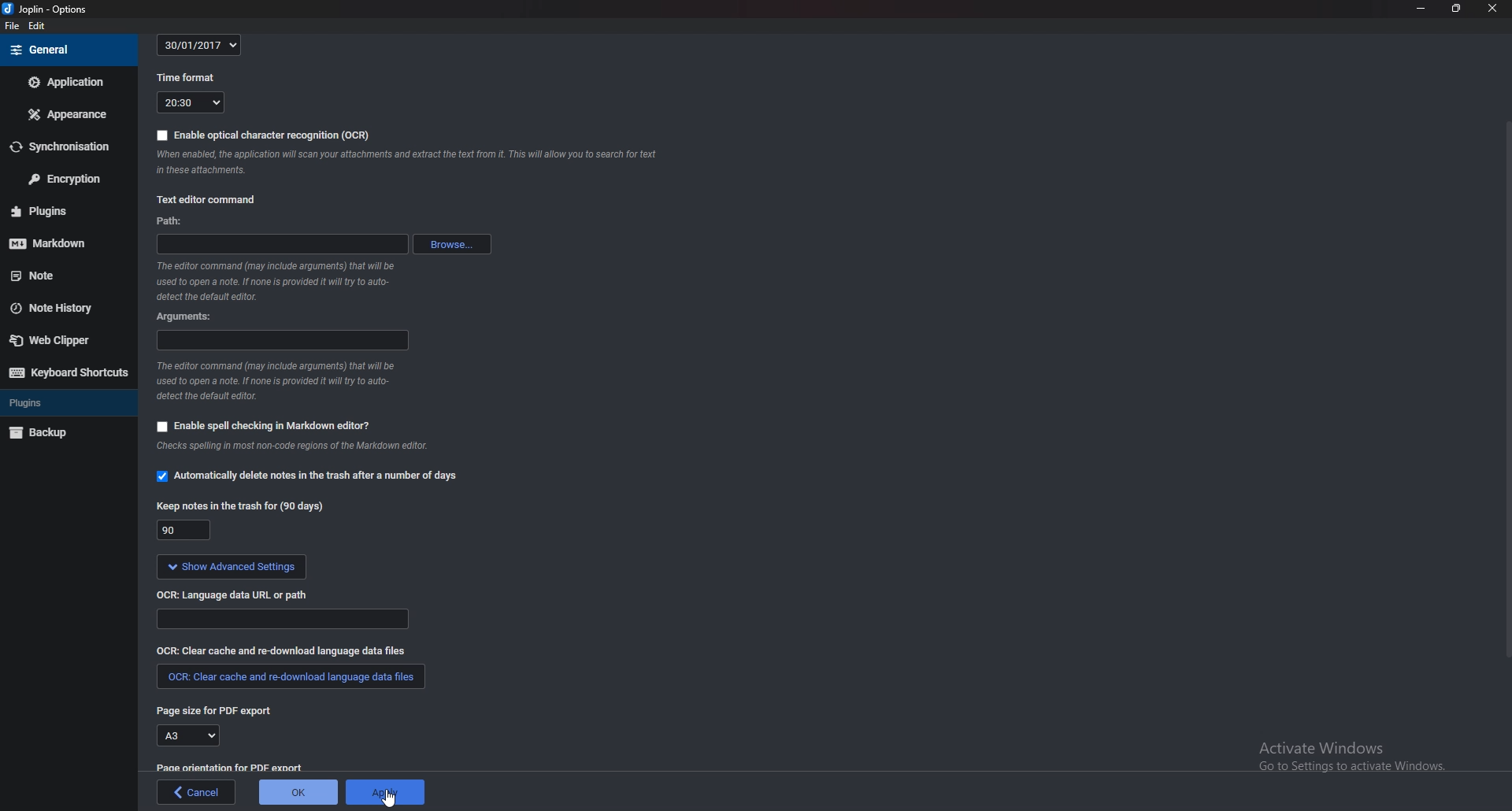  What do you see at coordinates (198, 46) in the screenshot?
I see `30/01/2017` at bounding box center [198, 46].